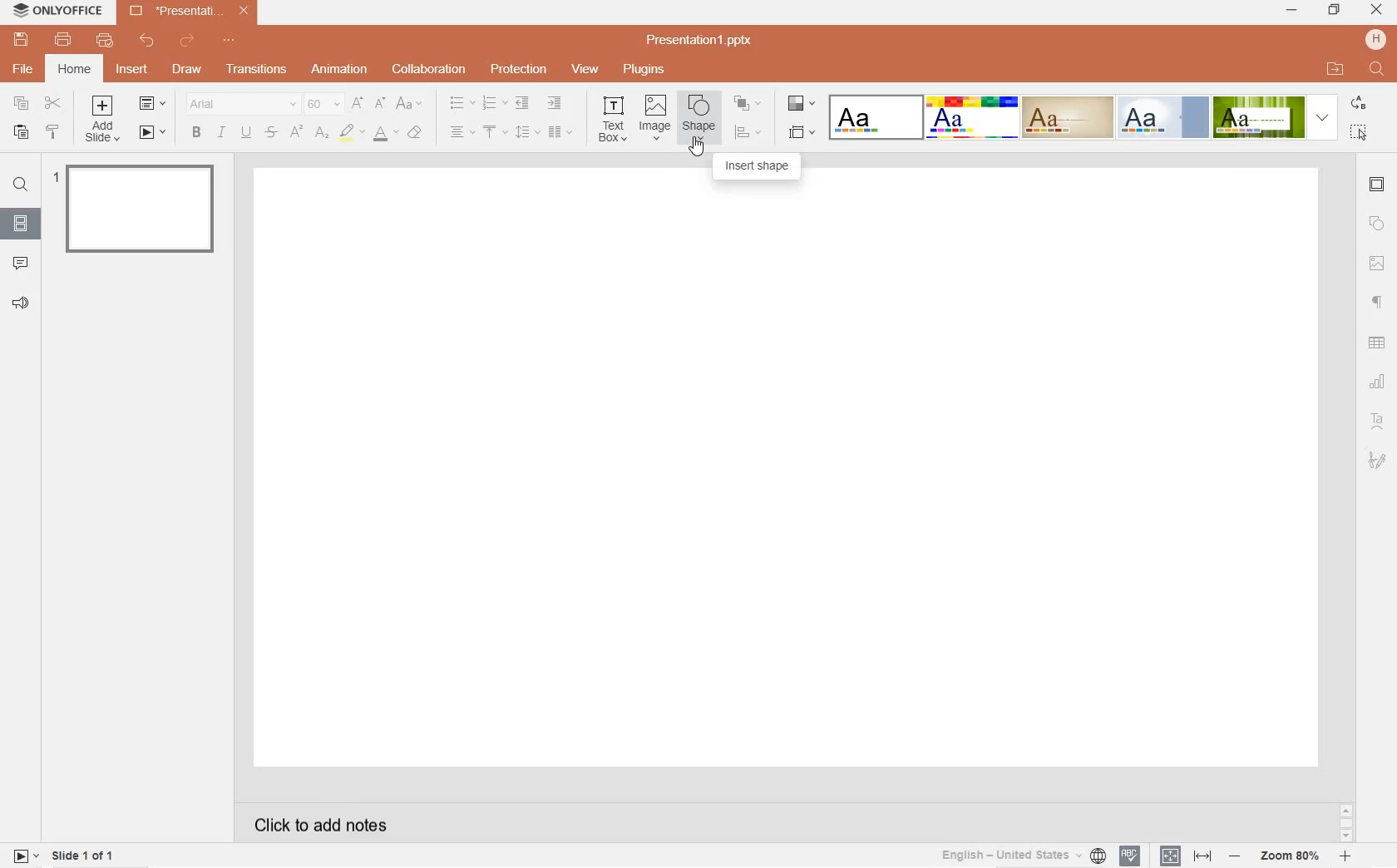  What do you see at coordinates (296, 133) in the screenshot?
I see `superscript` at bounding box center [296, 133].